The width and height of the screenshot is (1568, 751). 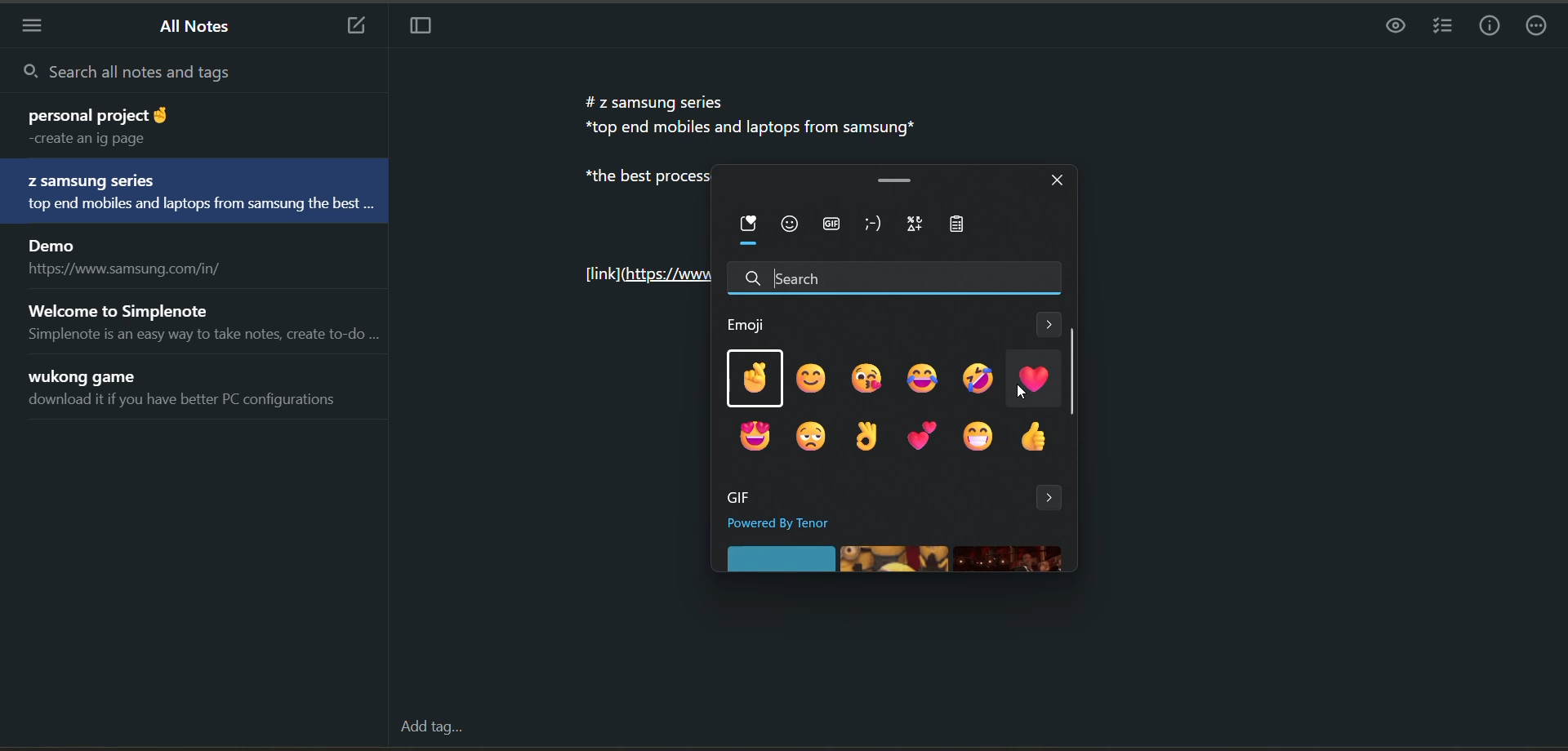 What do you see at coordinates (1538, 29) in the screenshot?
I see `actions` at bounding box center [1538, 29].